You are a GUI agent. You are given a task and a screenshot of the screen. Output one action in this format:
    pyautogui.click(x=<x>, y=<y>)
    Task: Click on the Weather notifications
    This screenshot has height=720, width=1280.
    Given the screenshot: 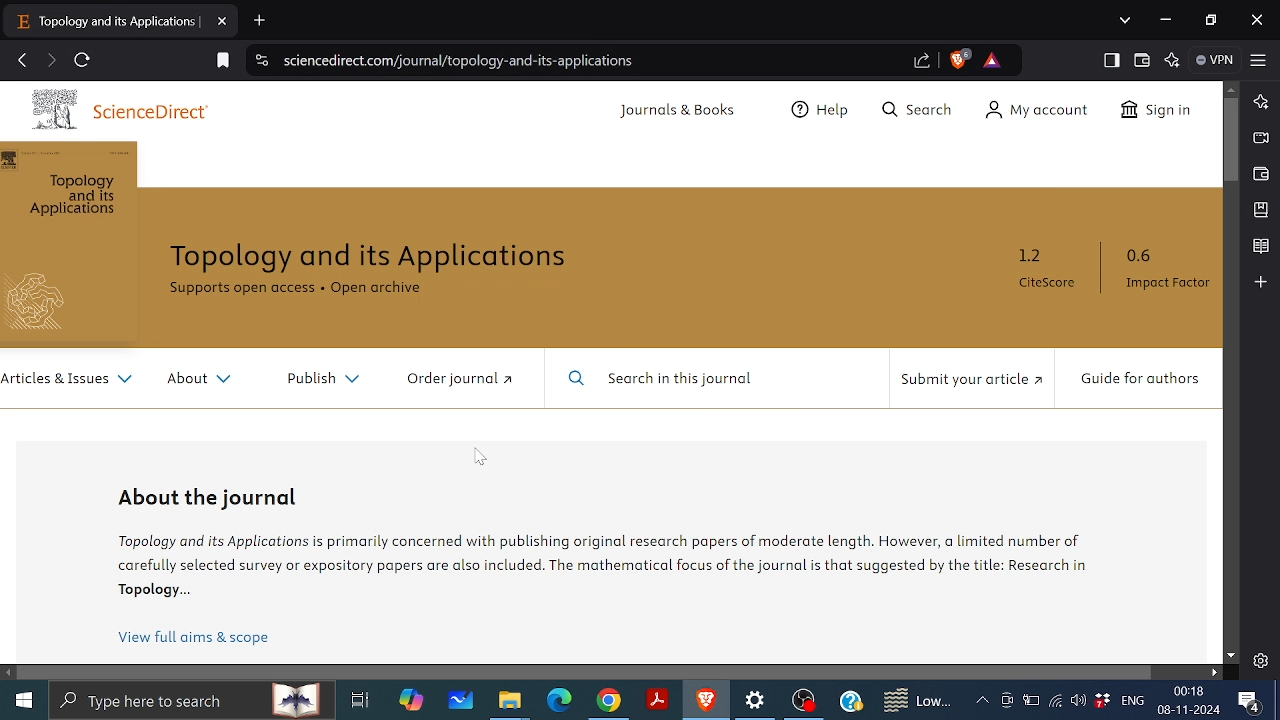 What is the action you would take?
    pyautogui.click(x=914, y=701)
    